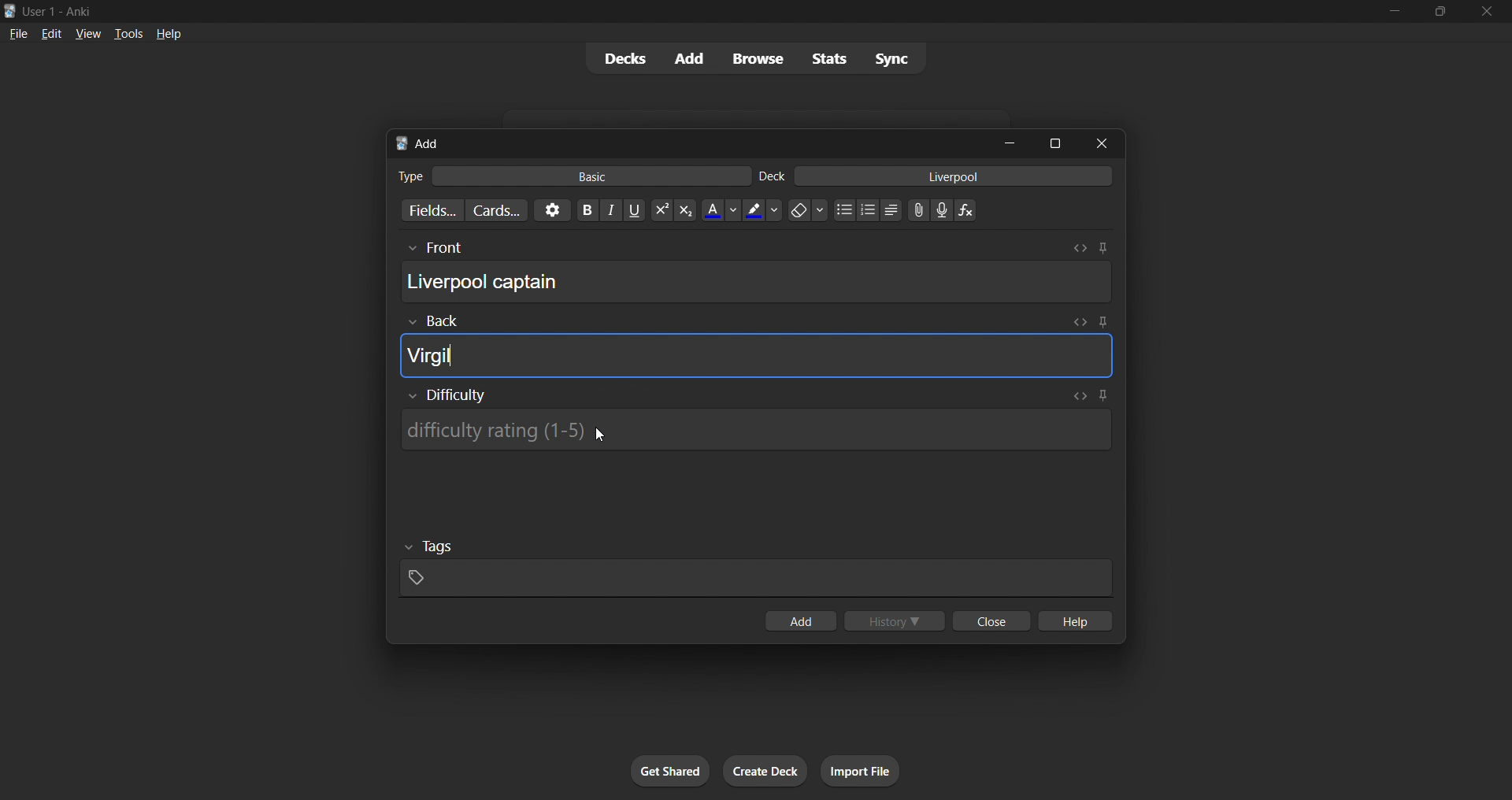 The image size is (1512, 800). Describe the element at coordinates (868, 210) in the screenshot. I see `Ordered list` at that location.